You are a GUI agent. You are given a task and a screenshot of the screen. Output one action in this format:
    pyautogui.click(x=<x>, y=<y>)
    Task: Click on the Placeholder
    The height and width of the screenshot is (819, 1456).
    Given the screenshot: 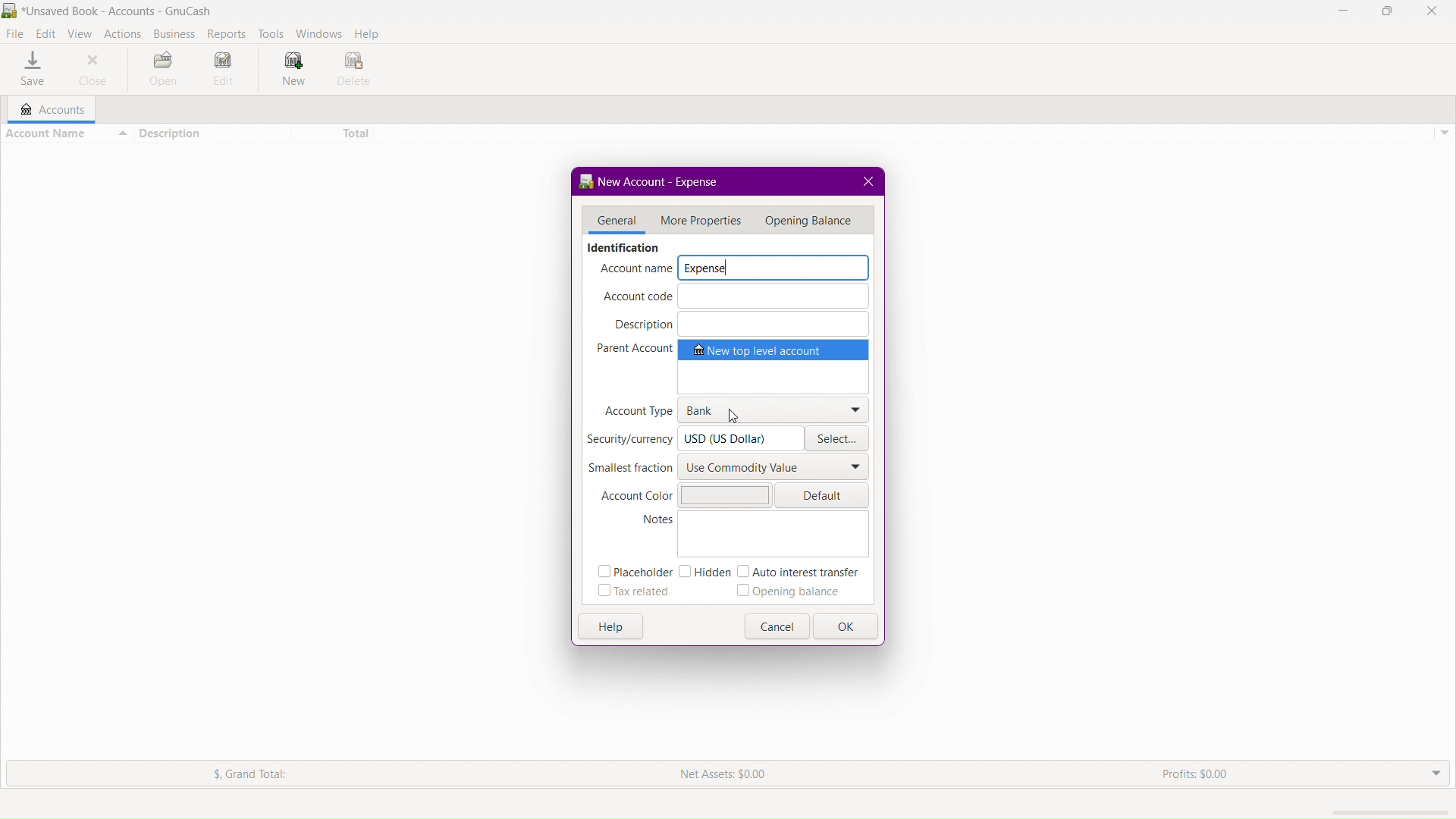 What is the action you would take?
    pyautogui.click(x=632, y=573)
    